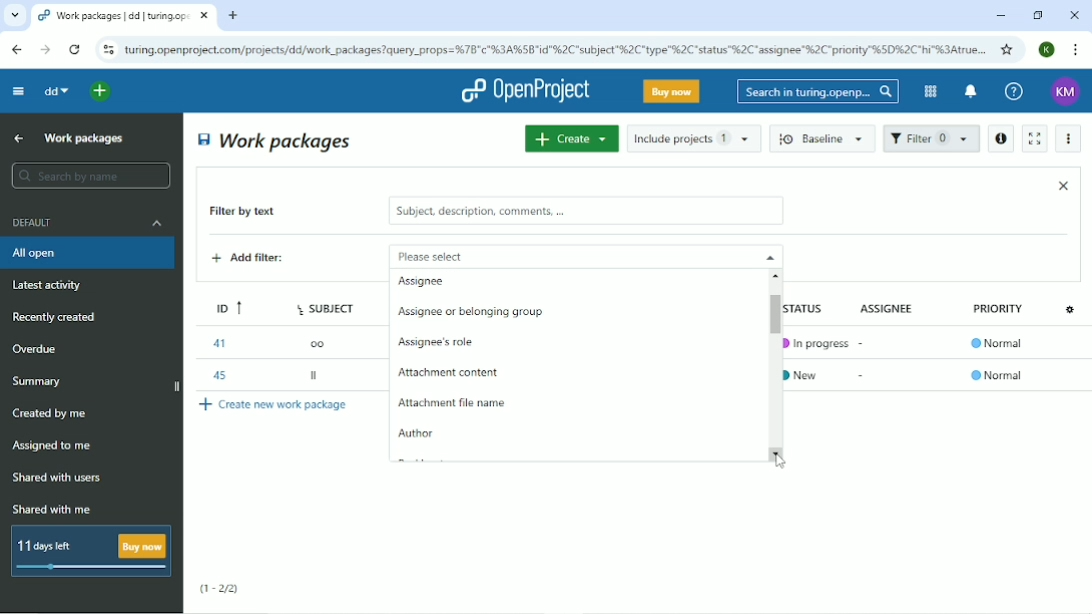 Image resolution: width=1092 pixels, height=614 pixels. Describe the element at coordinates (108, 50) in the screenshot. I see `View site information` at that location.